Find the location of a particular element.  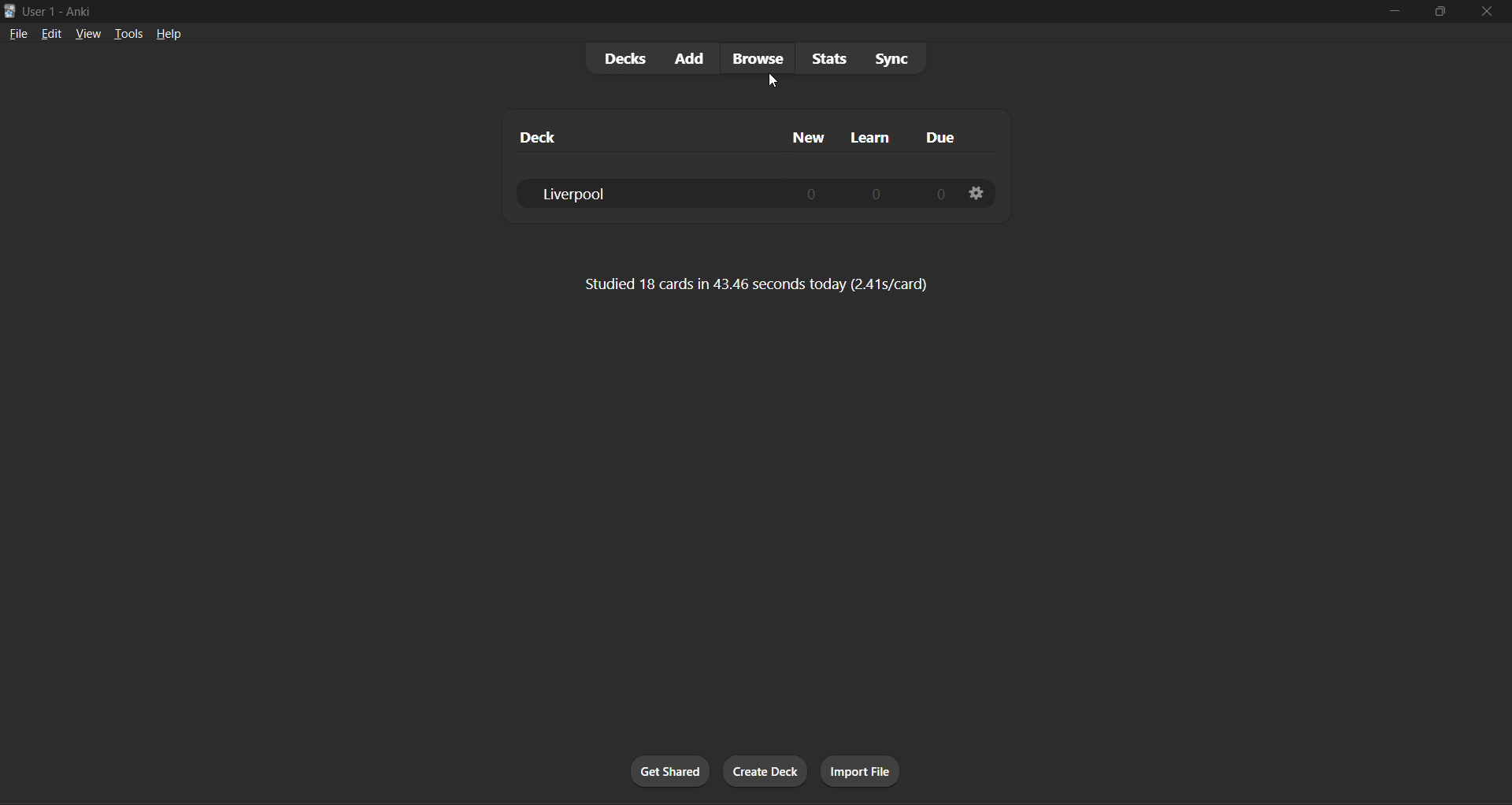

Studied 18 cards in 43:46 seconds today is located at coordinates (762, 281).